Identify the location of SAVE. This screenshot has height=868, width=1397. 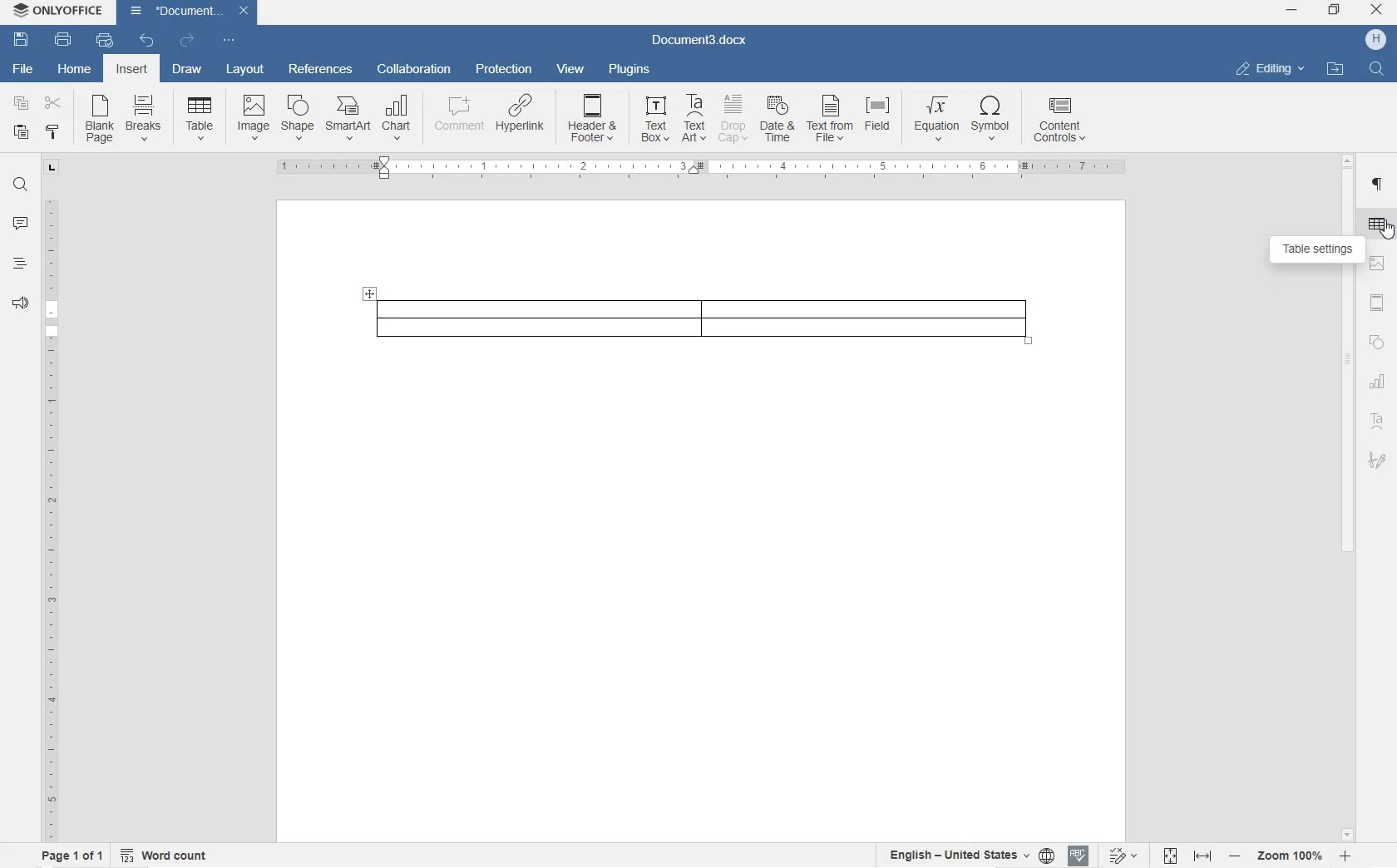
(23, 37).